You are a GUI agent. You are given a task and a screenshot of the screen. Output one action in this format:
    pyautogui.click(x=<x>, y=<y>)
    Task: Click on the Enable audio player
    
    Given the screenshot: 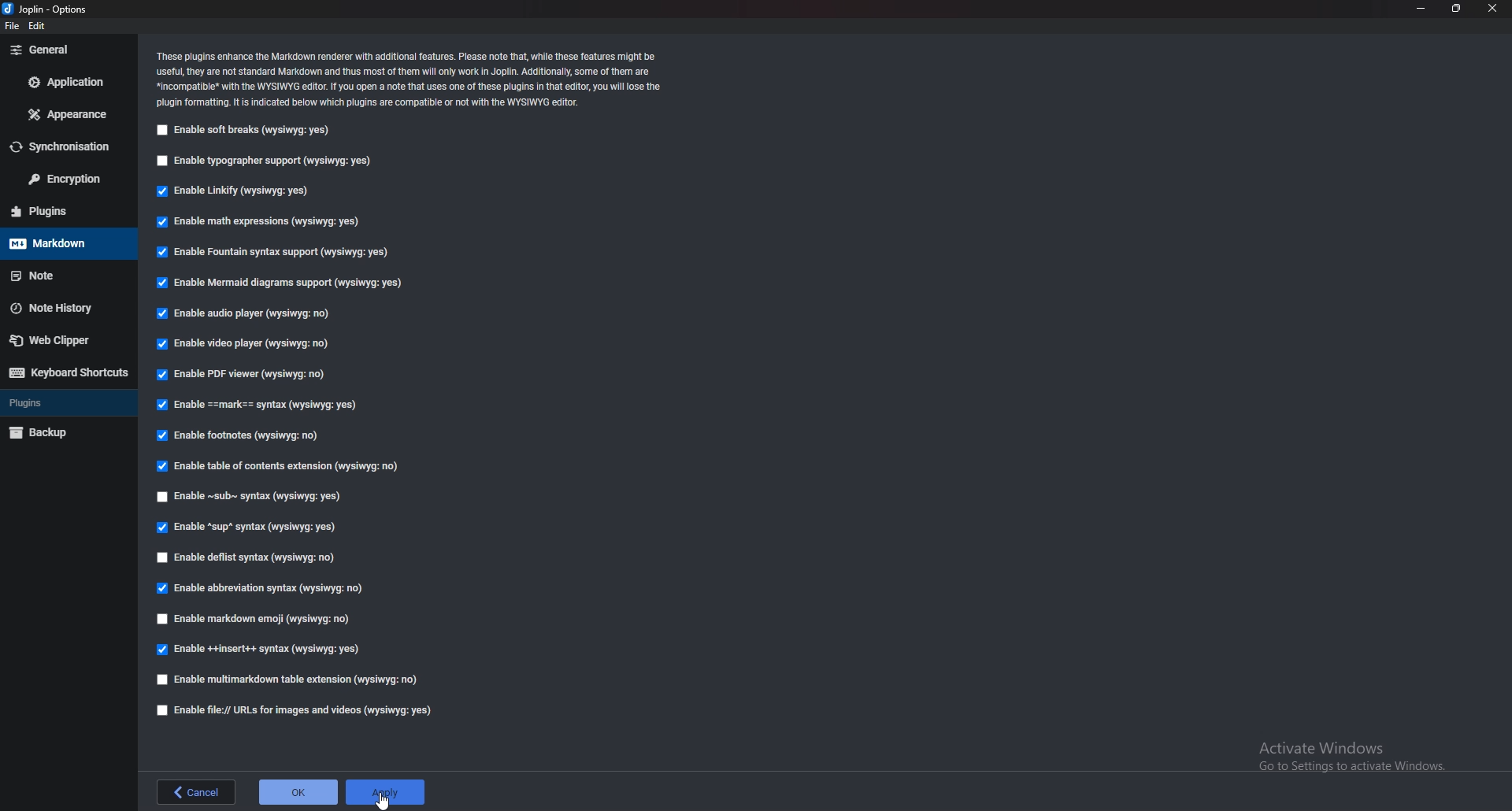 What is the action you would take?
    pyautogui.click(x=240, y=313)
    